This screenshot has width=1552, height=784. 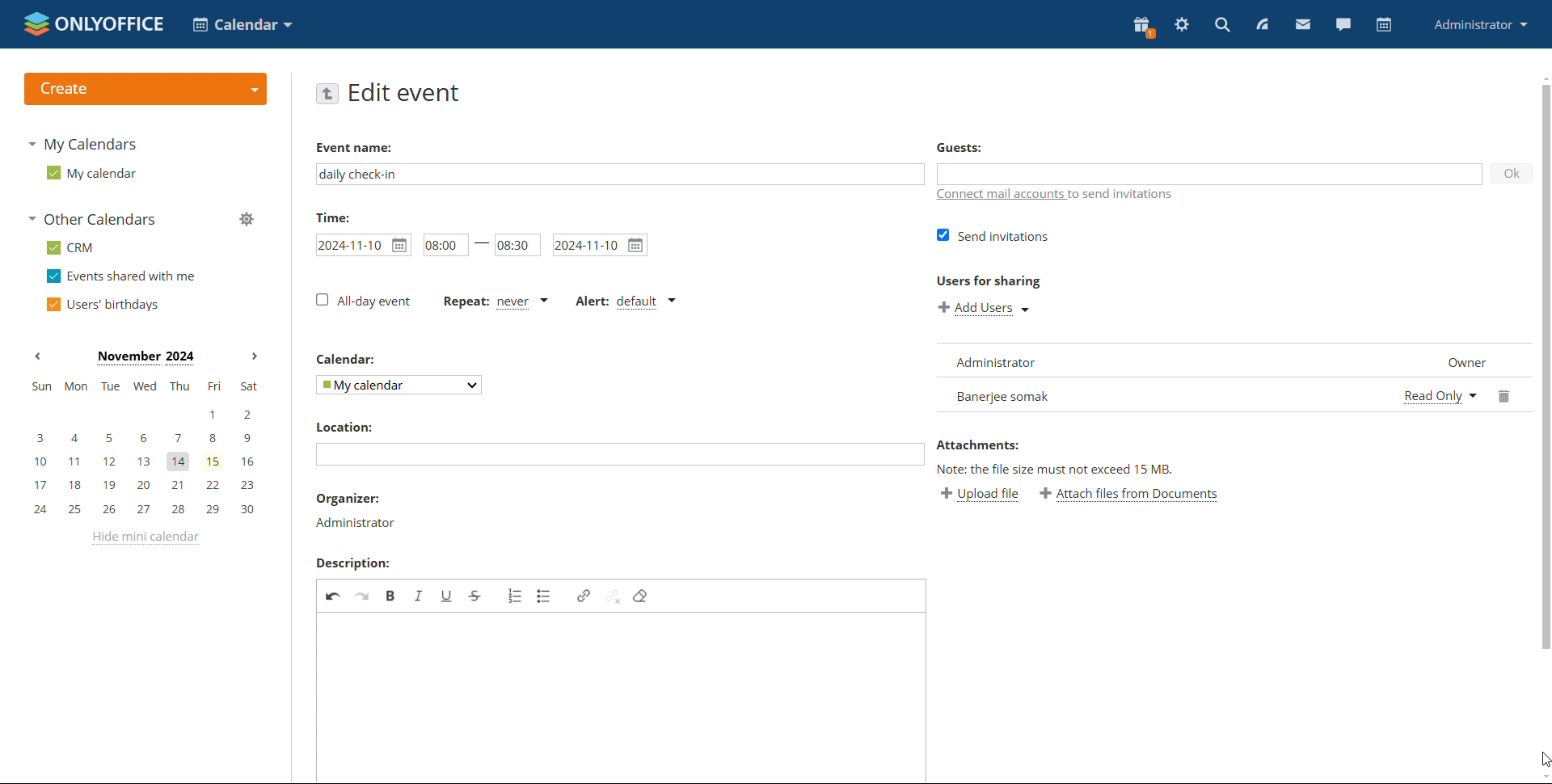 What do you see at coordinates (91, 219) in the screenshot?
I see `other calendars` at bounding box center [91, 219].